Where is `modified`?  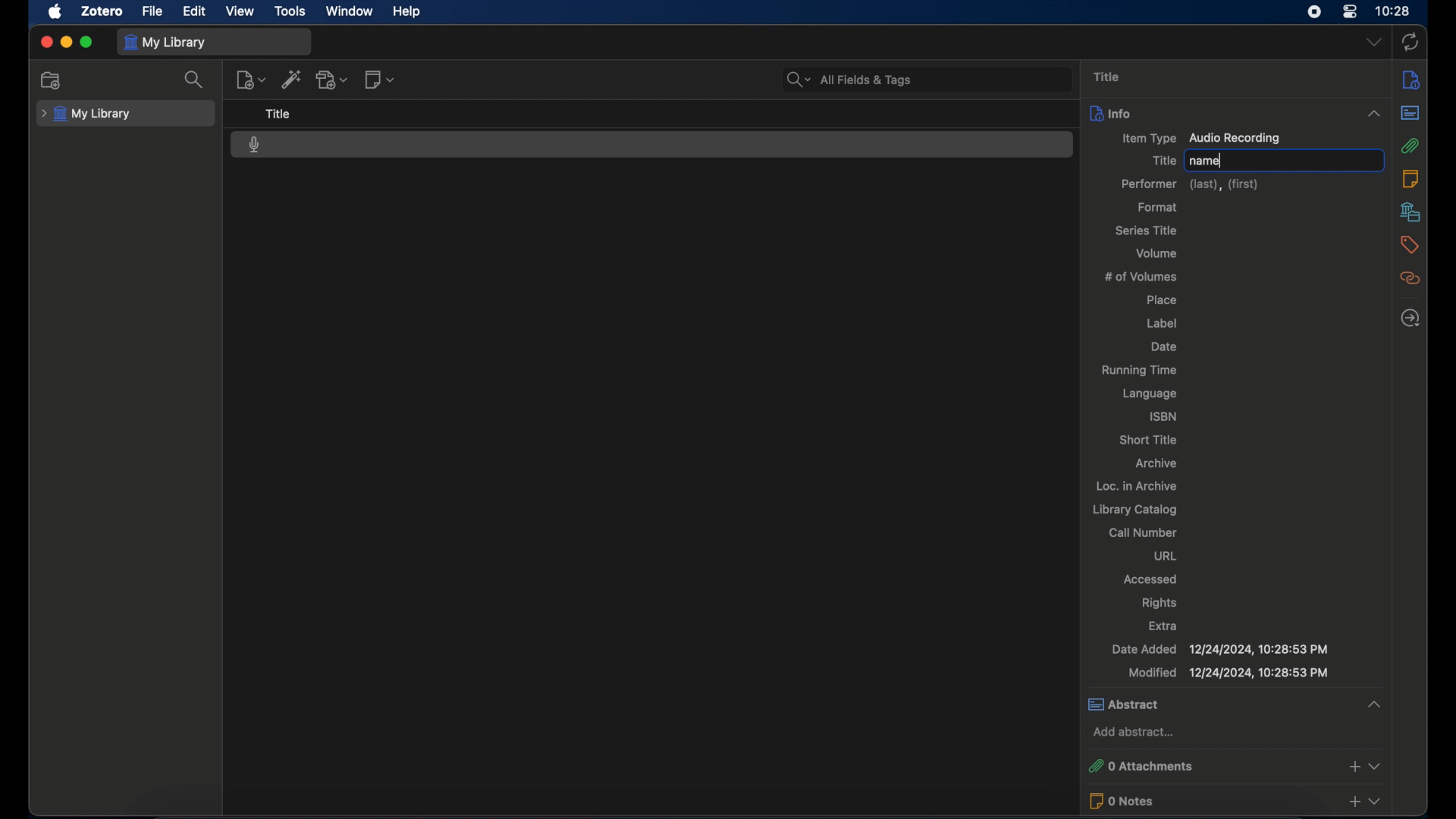
modified is located at coordinates (1230, 673).